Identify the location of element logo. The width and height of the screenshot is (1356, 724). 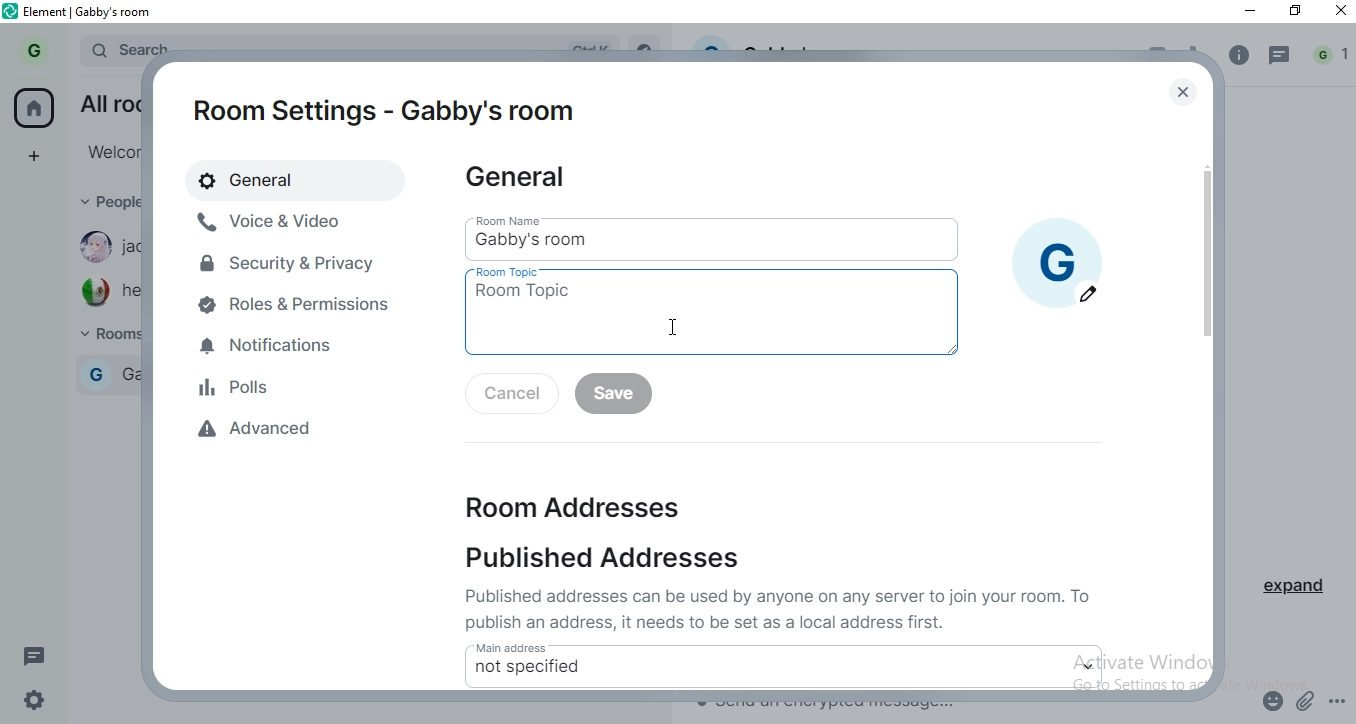
(13, 13).